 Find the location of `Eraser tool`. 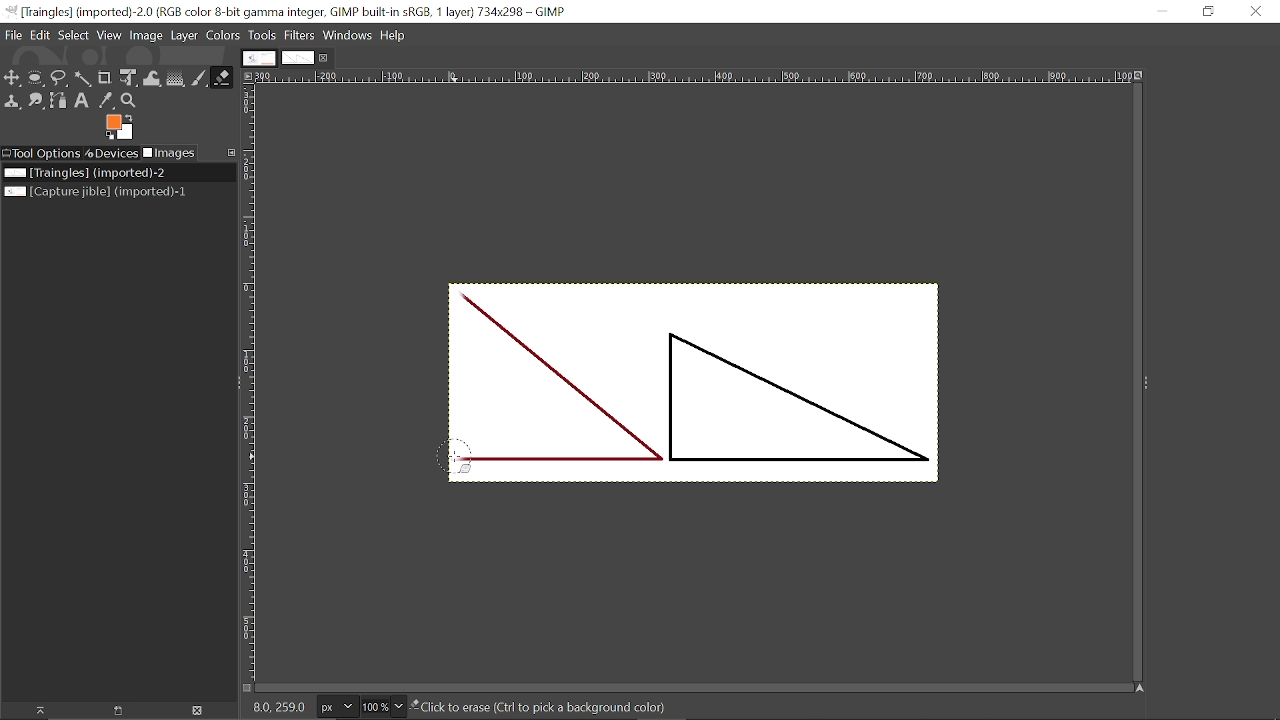

Eraser tool is located at coordinates (222, 77).